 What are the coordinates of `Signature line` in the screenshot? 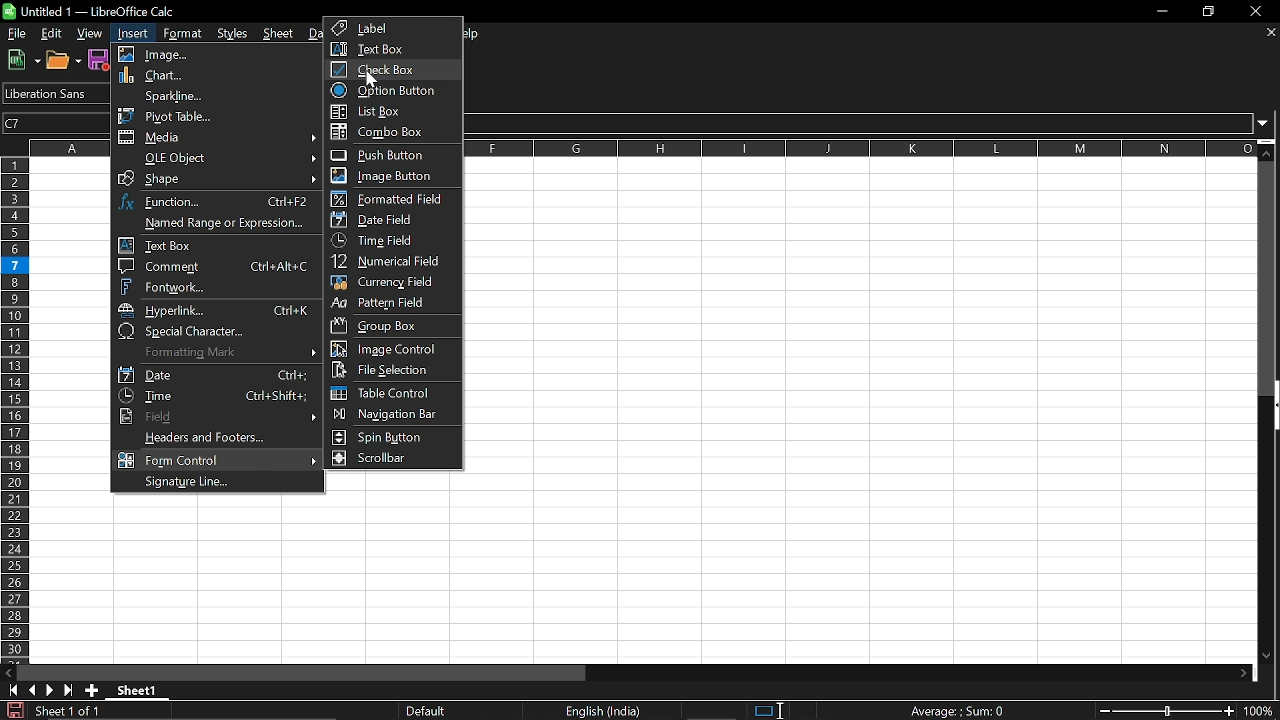 It's located at (214, 483).